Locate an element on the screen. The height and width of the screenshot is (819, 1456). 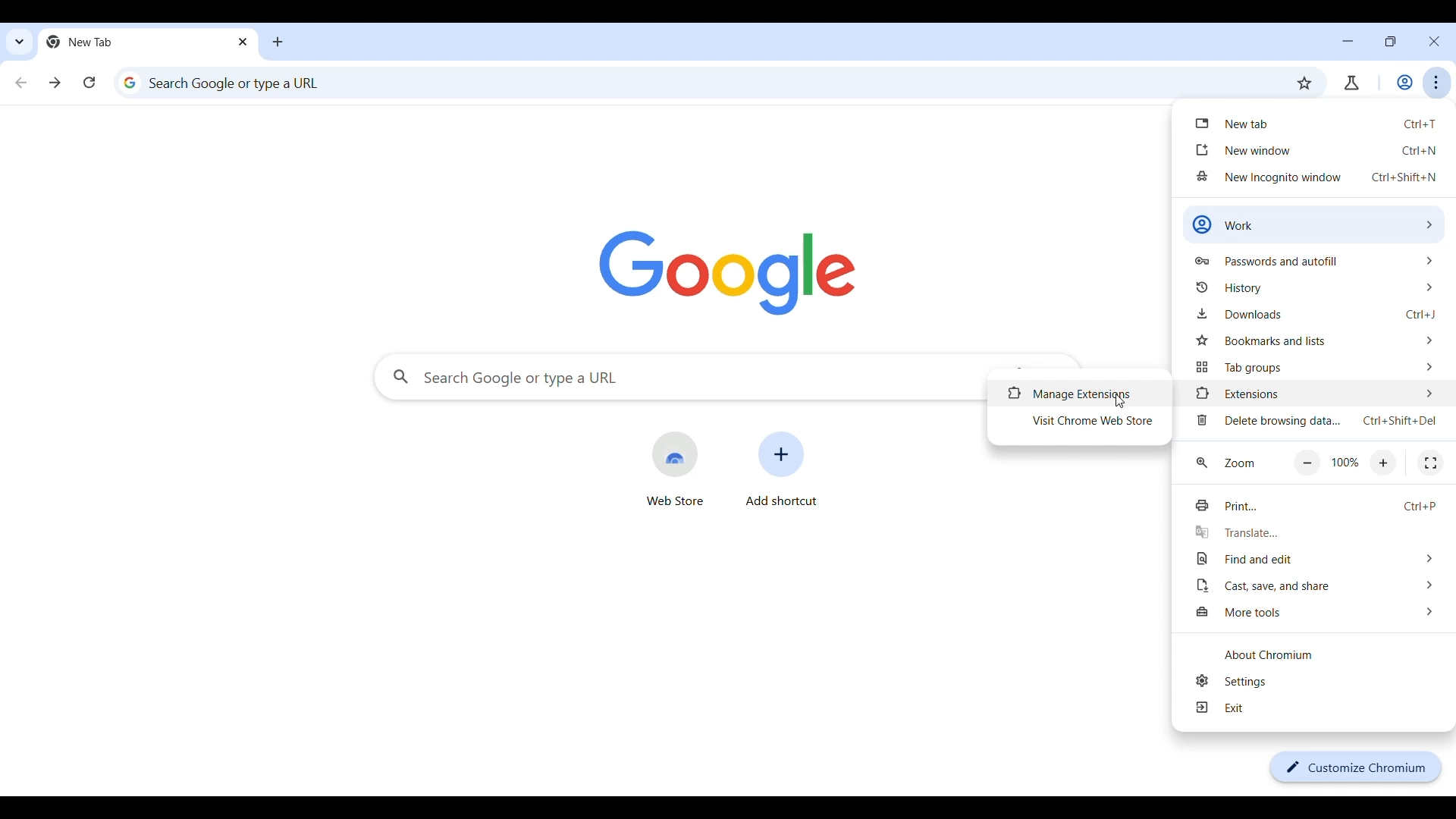
Close interface is located at coordinates (1434, 41).